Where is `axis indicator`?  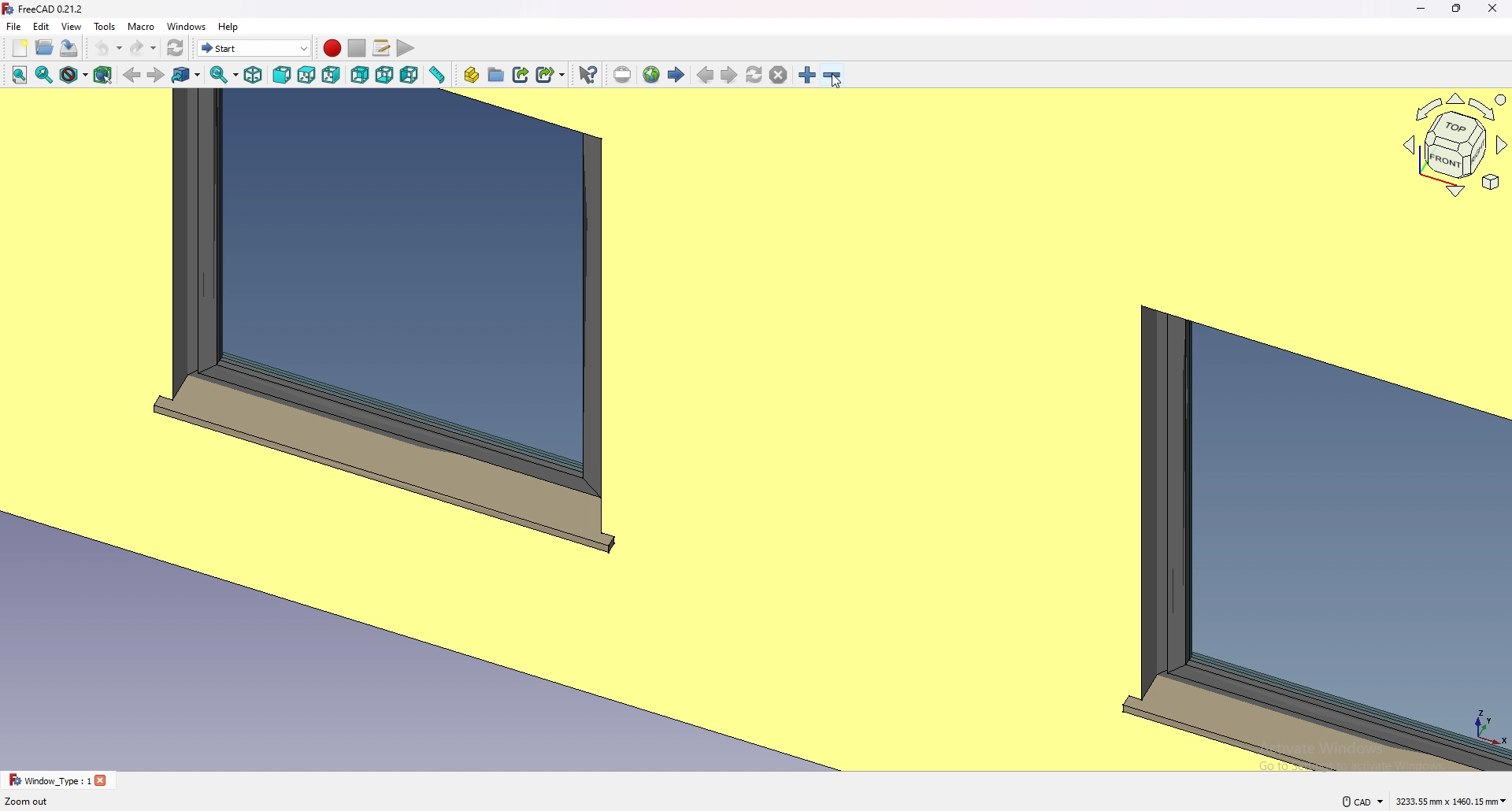
axis indicator is located at coordinates (1453, 144).